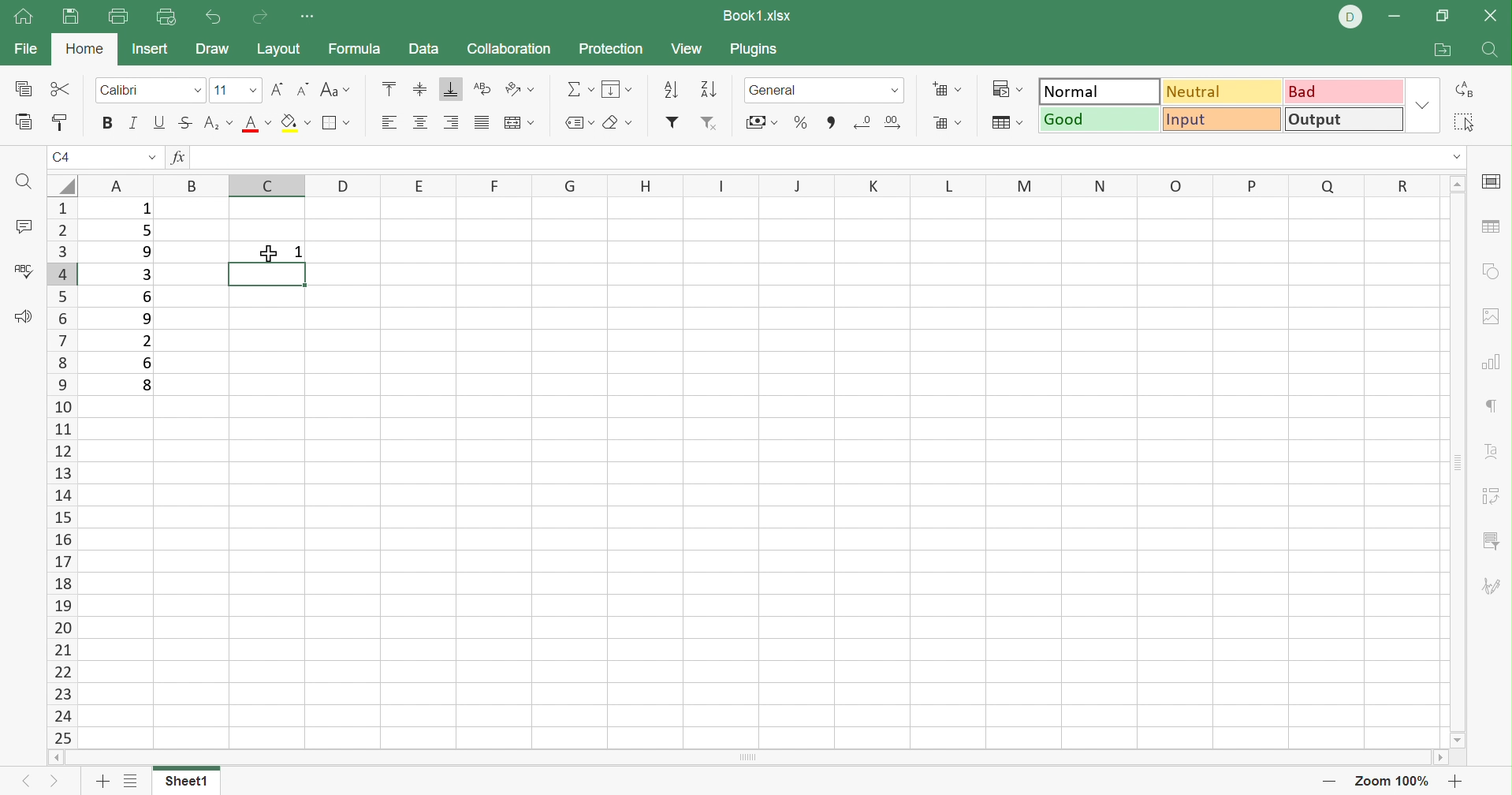  What do you see at coordinates (136, 780) in the screenshot?
I see `List of sheets` at bounding box center [136, 780].